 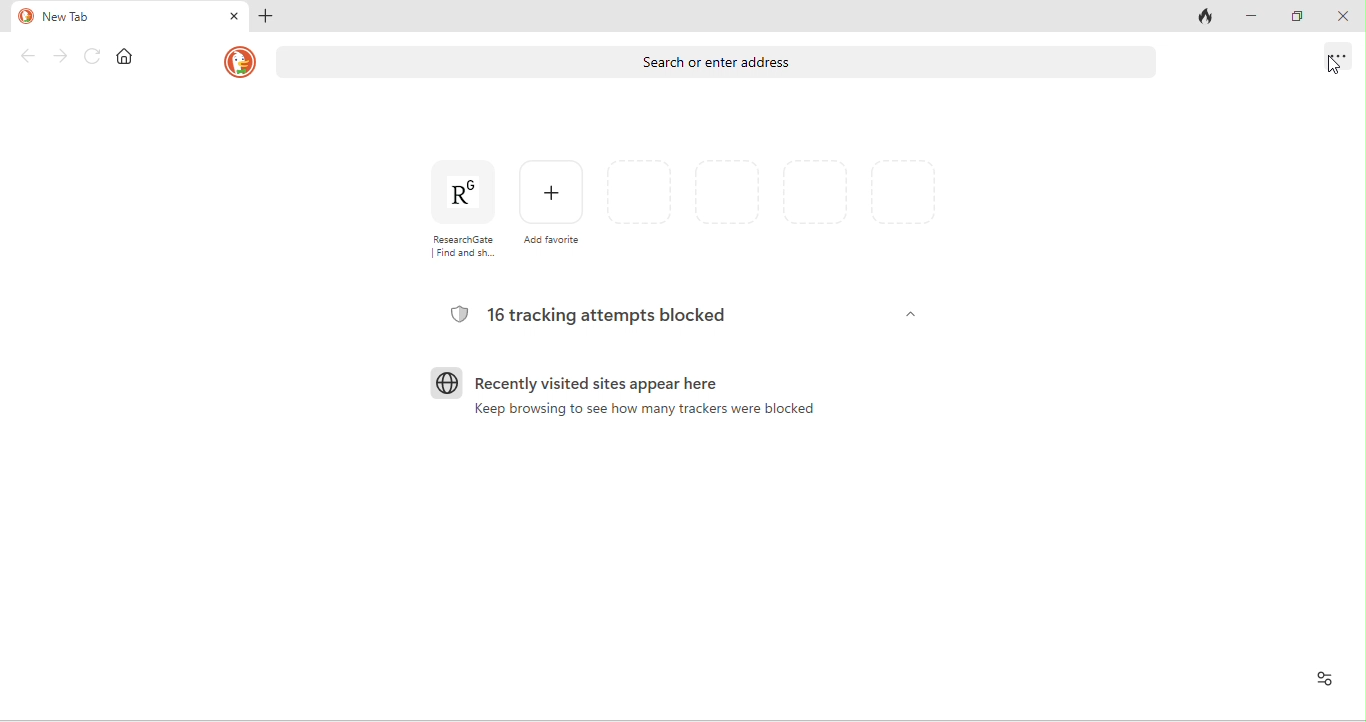 I want to click on back, so click(x=26, y=56).